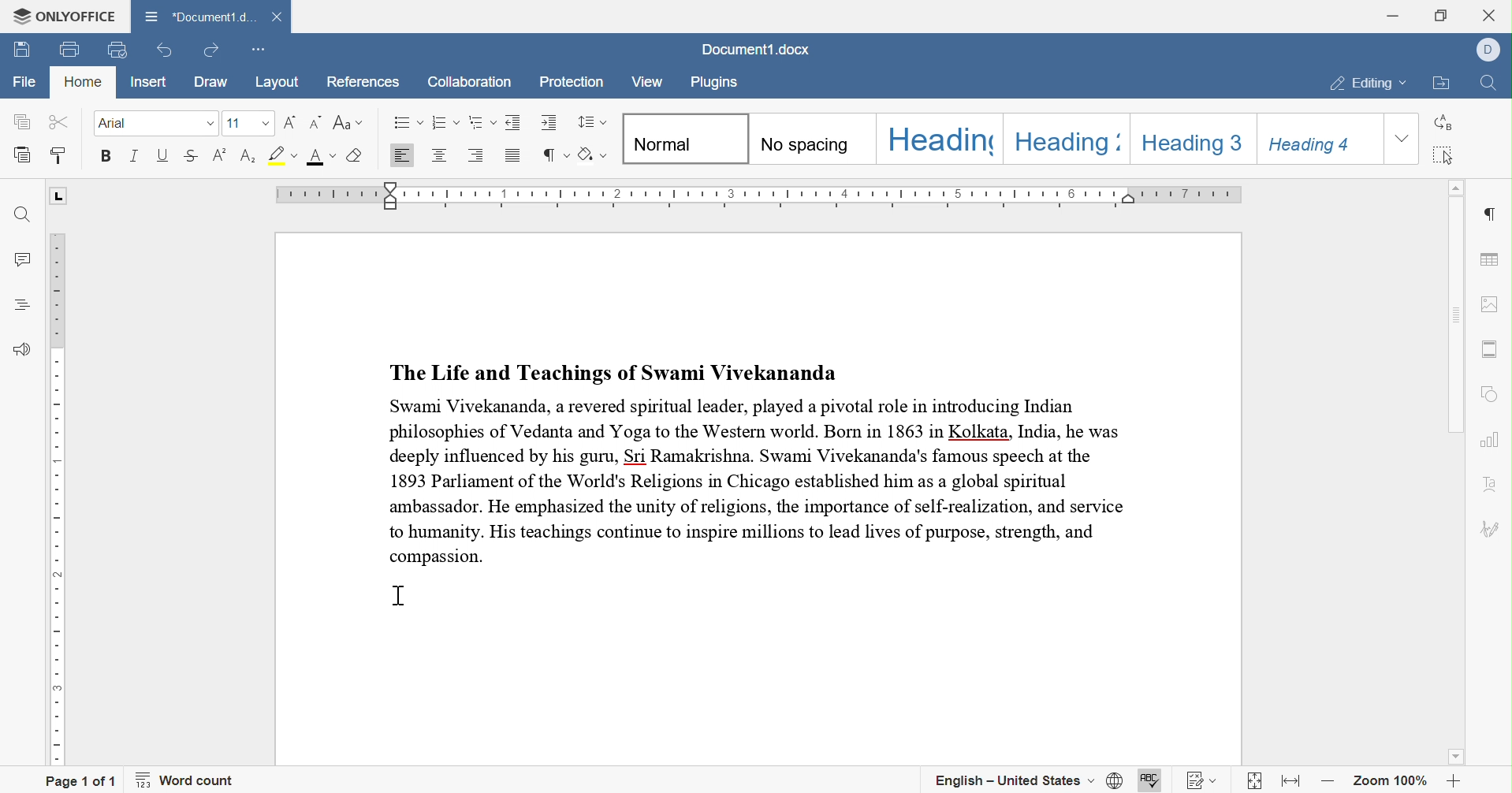  Describe the element at coordinates (1491, 488) in the screenshot. I see `text art settings` at that location.